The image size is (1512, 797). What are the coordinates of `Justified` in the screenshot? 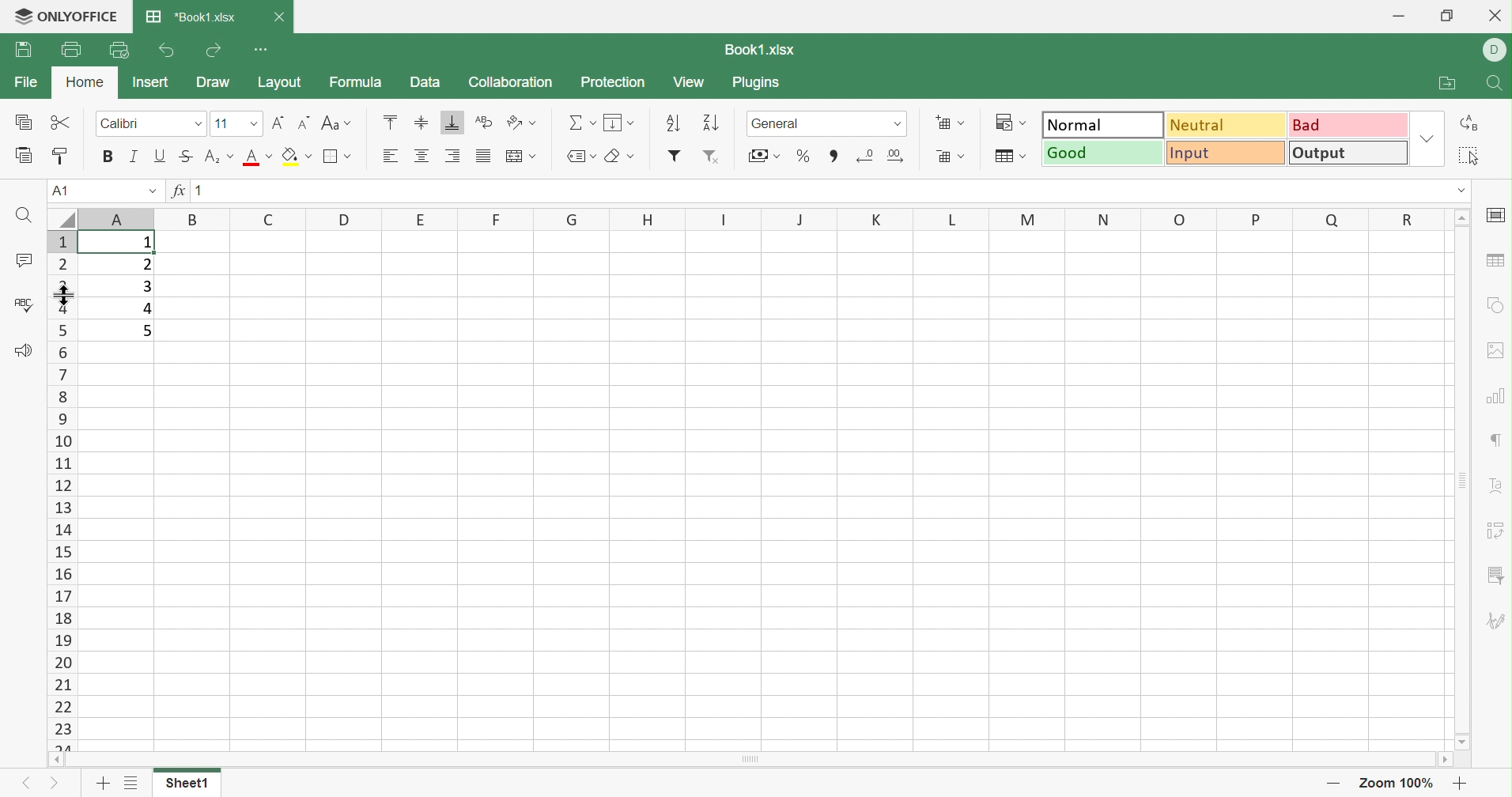 It's located at (483, 157).